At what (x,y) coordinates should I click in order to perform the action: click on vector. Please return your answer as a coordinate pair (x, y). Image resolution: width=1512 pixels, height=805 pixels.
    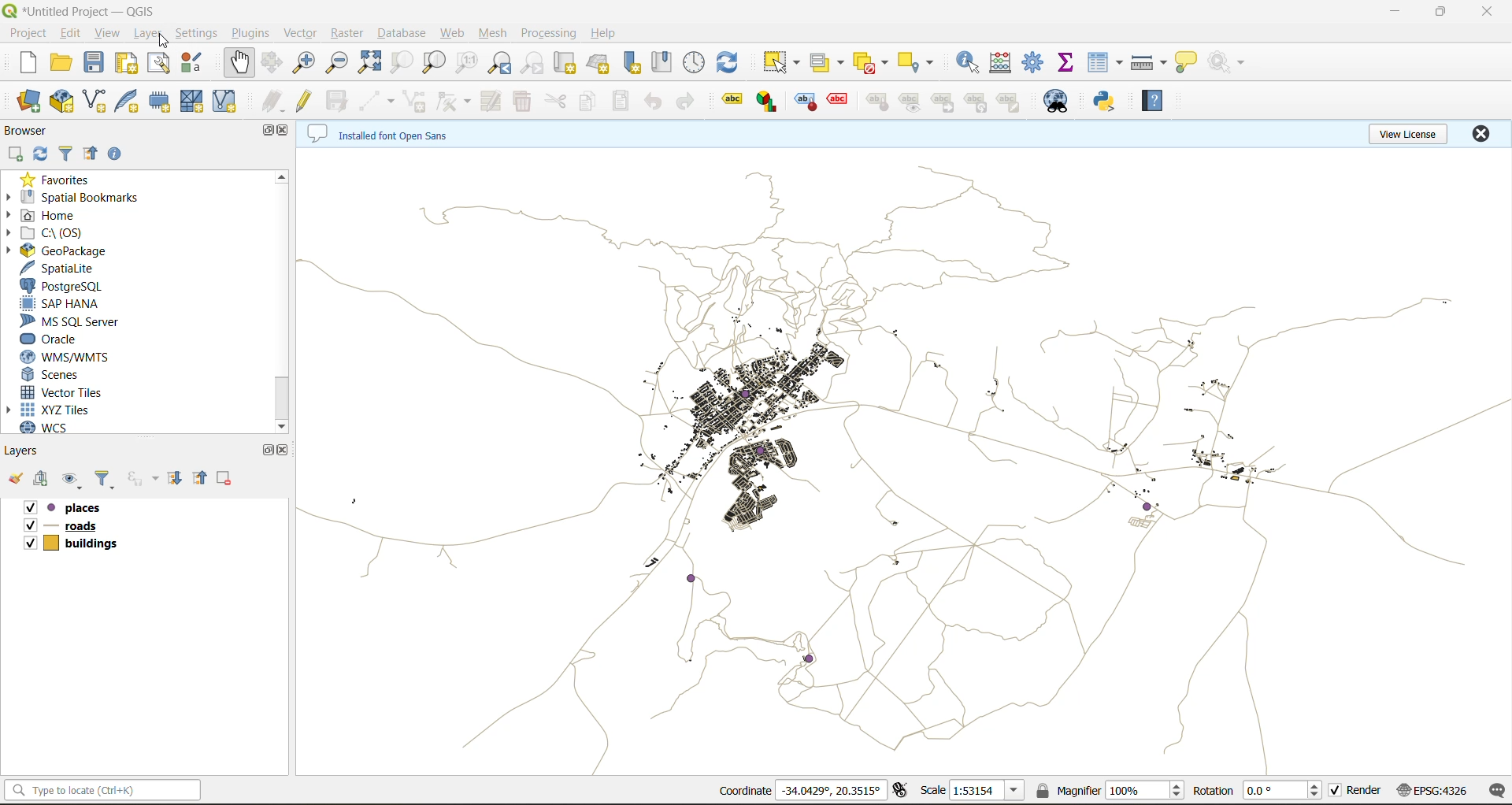
    Looking at the image, I should click on (298, 32).